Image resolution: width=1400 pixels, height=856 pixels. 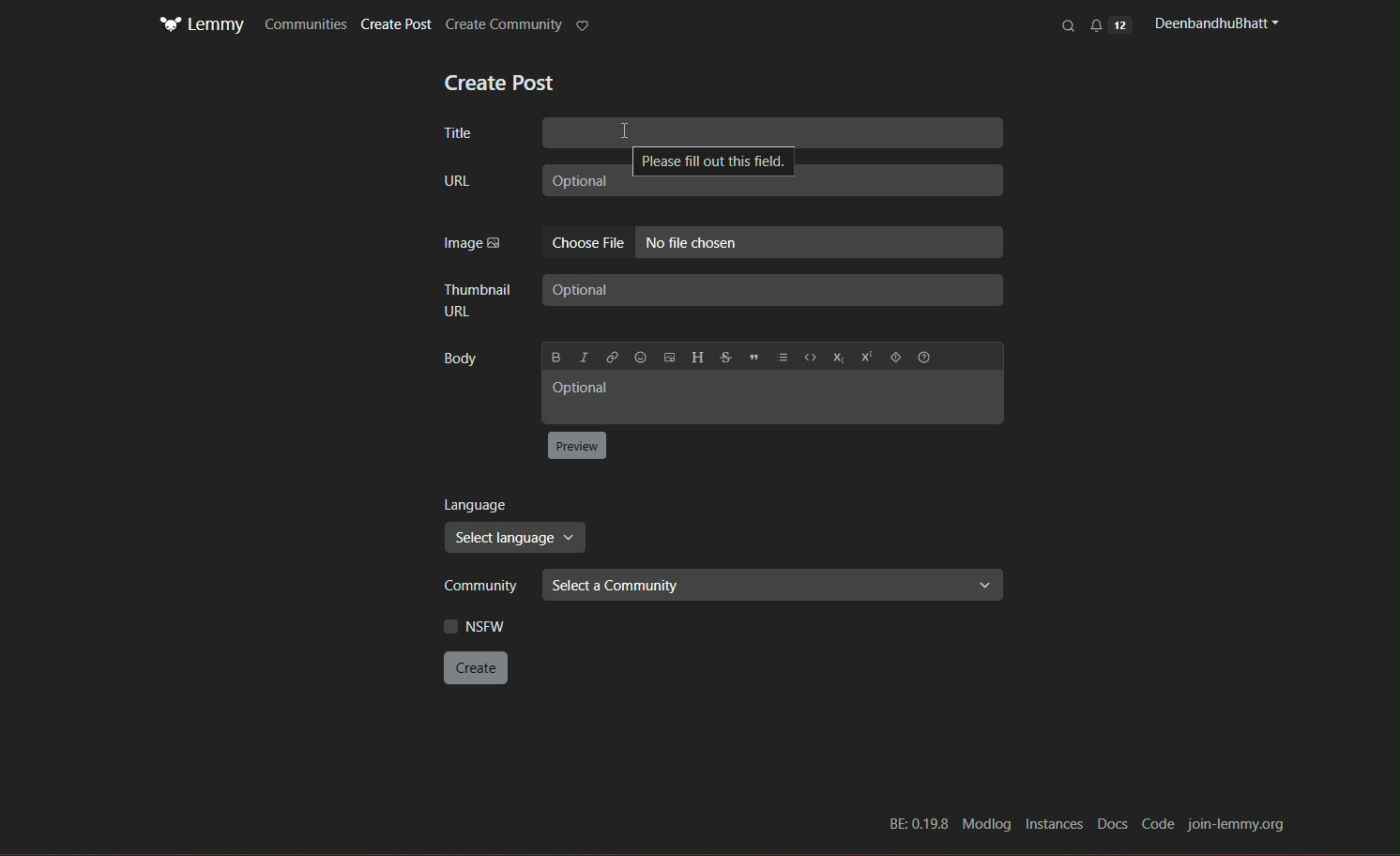 I want to click on BE: 0.19.8, so click(x=917, y=822).